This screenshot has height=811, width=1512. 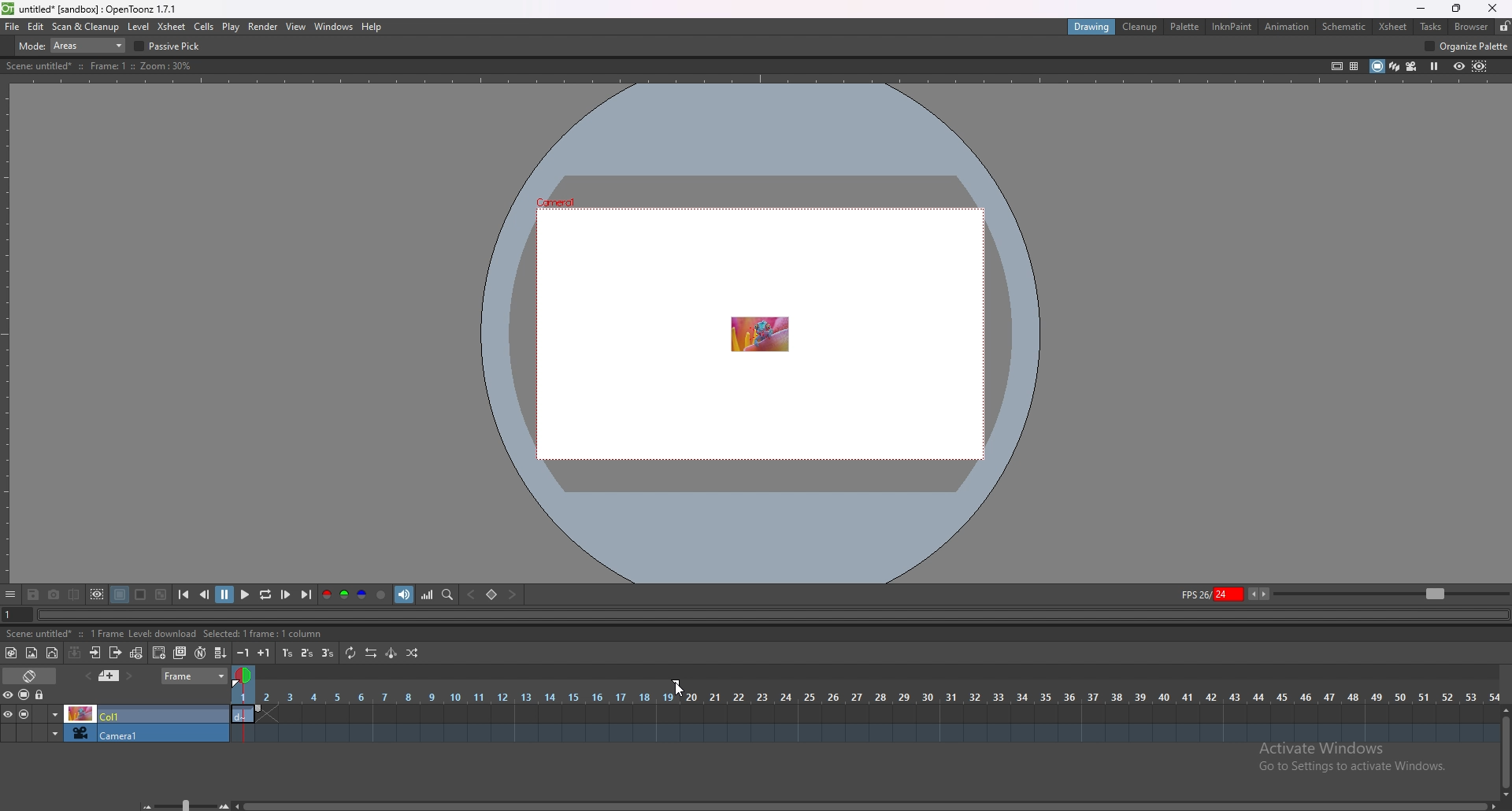 What do you see at coordinates (87, 676) in the screenshot?
I see `add memo` at bounding box center [87, 676].